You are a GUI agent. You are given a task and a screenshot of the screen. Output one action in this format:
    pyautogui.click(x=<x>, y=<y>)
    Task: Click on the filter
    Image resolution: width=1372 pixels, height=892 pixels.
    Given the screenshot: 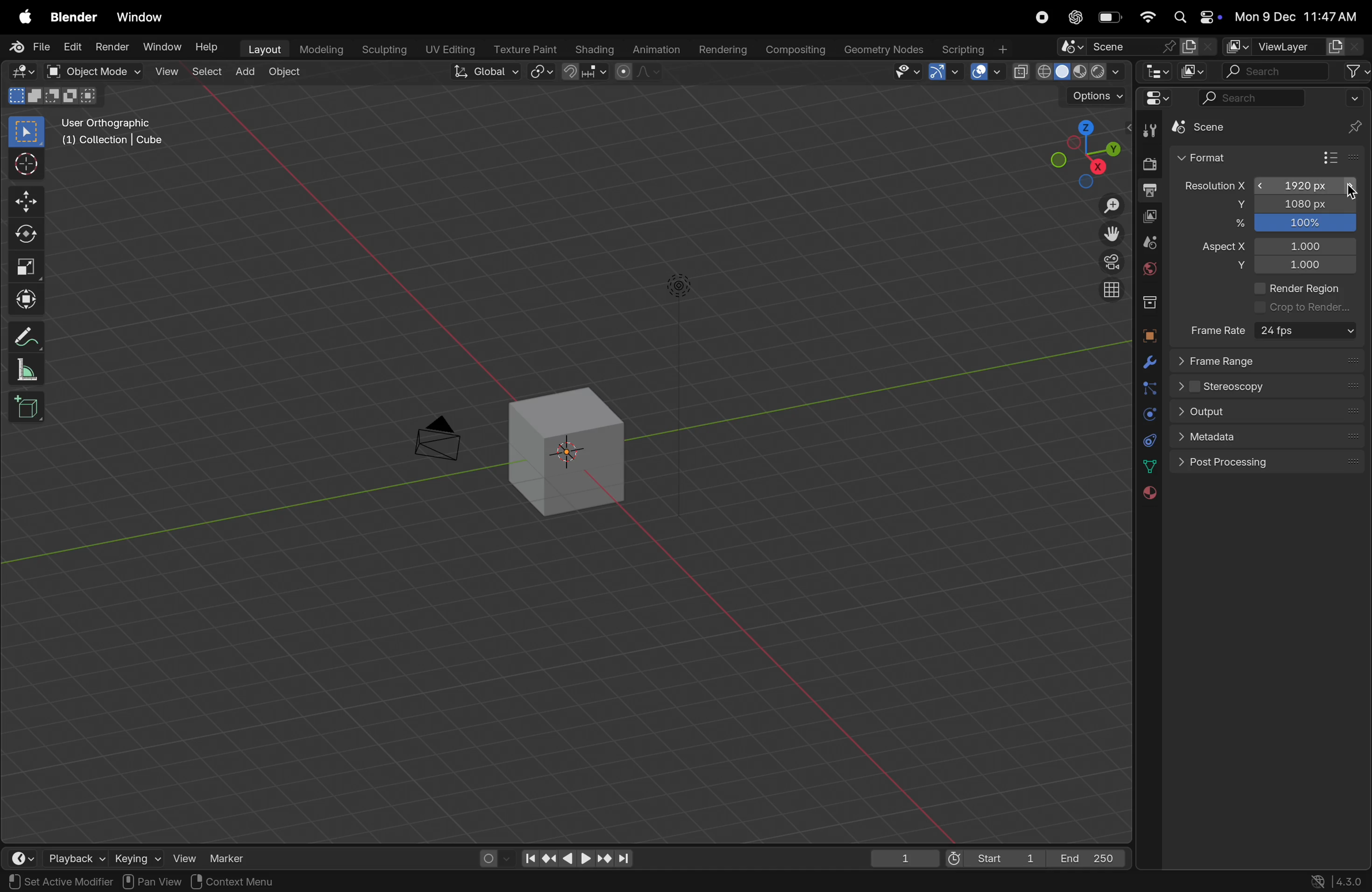 What is the action you would take?
    pyautogui.click(x=1358, y=72)
    